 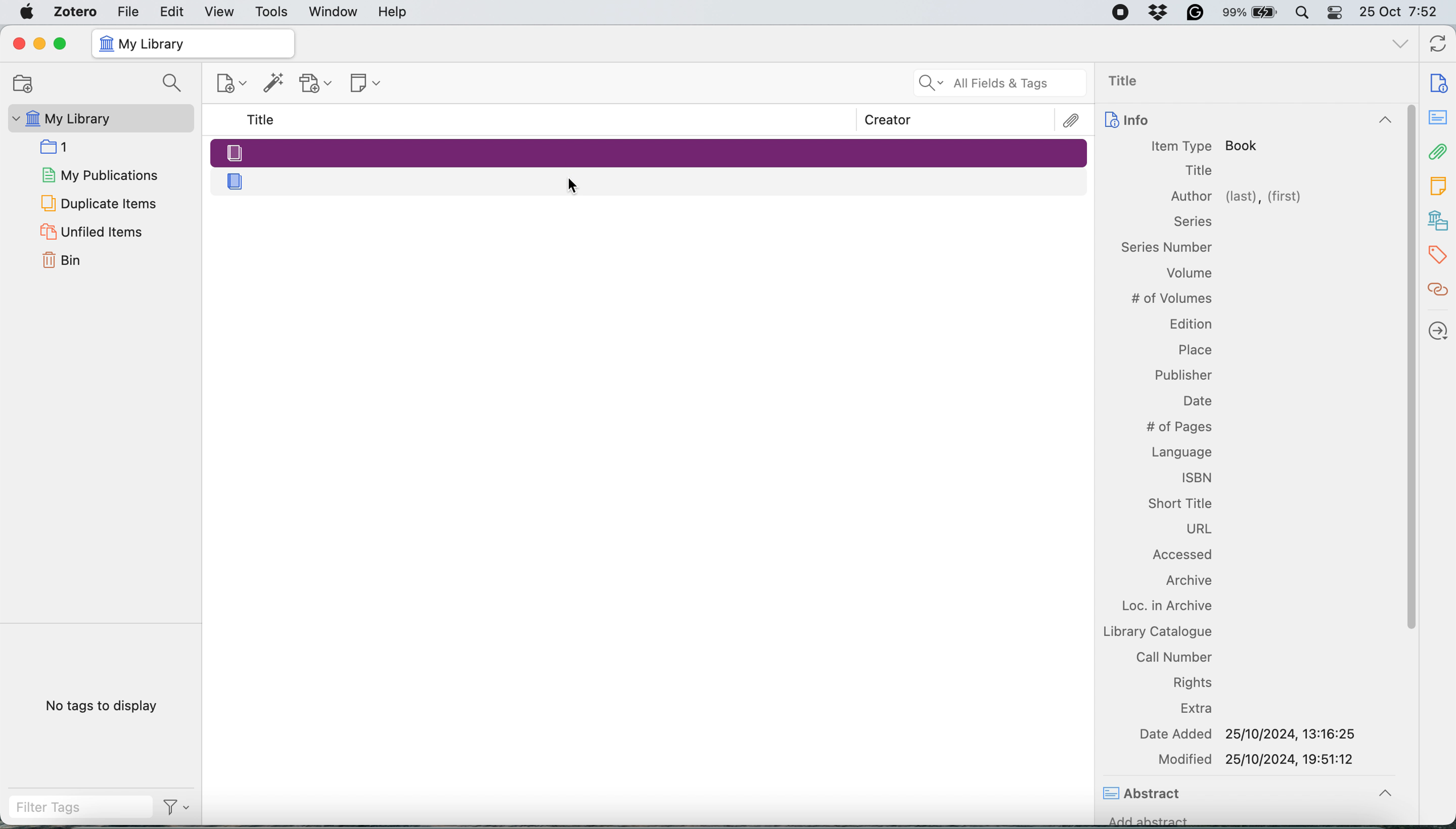 What do you see at coordinates (1178, 427) in the screenshot?
I see `# of Pages` at bounding box center [1178, 427].